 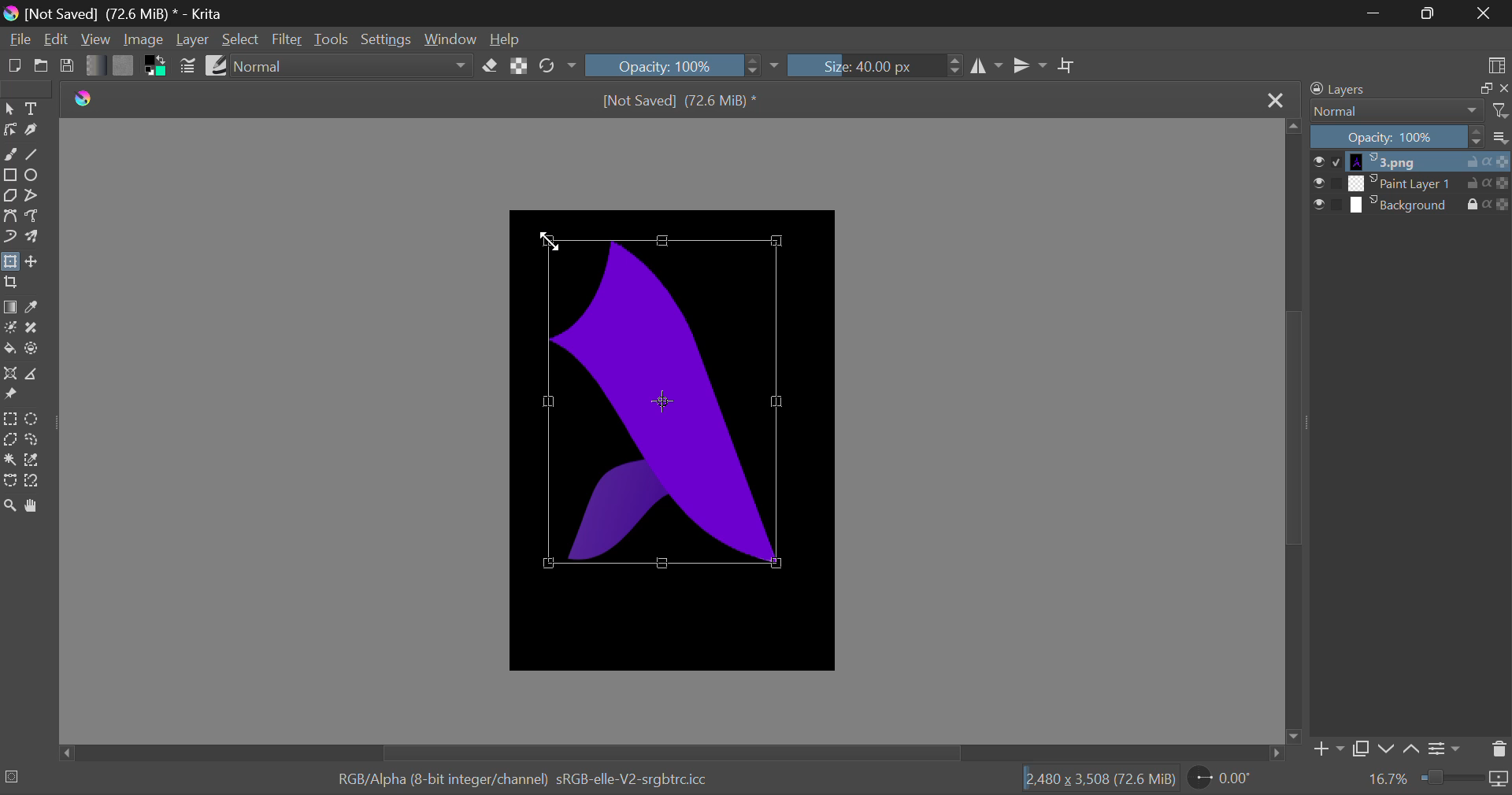 What do you see at coordinates (9, 216) in the screenshot?
I see `Bezier Curve` at bounding box center [9, 216].